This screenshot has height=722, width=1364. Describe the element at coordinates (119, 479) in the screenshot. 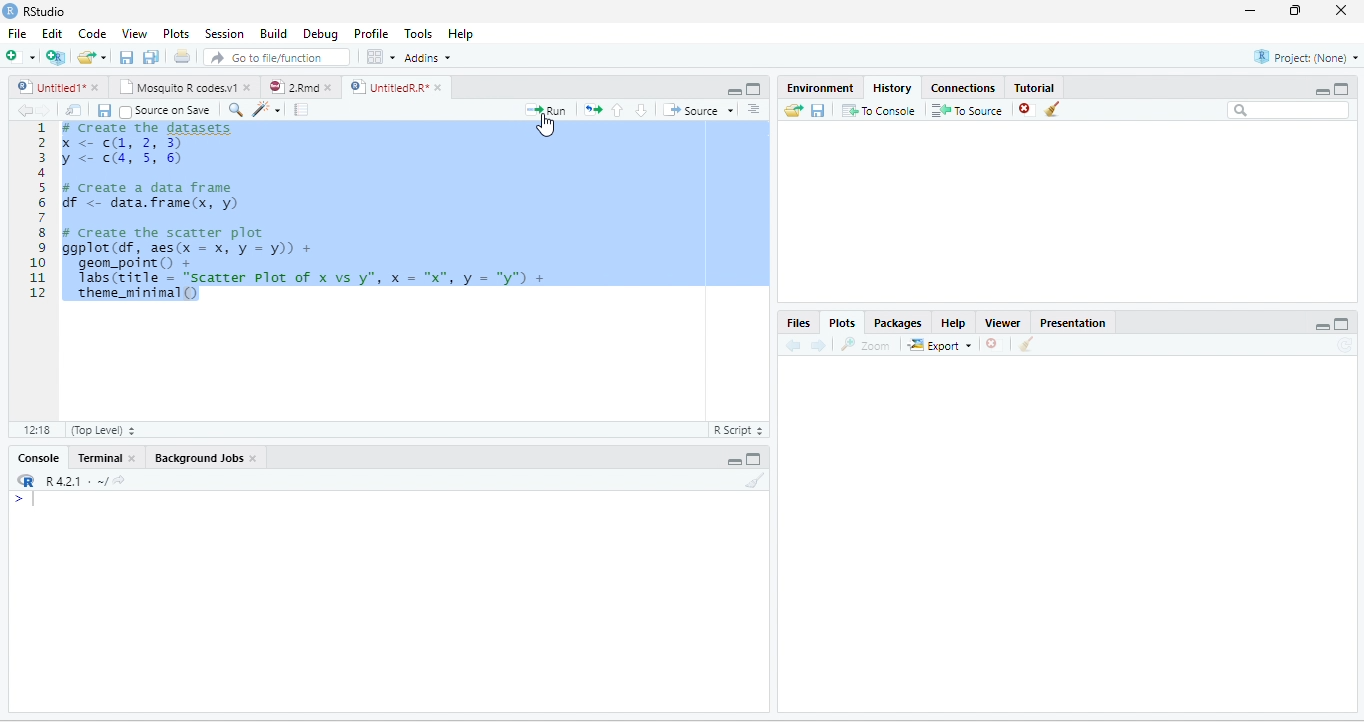

I see `View the current working directory` at that location.